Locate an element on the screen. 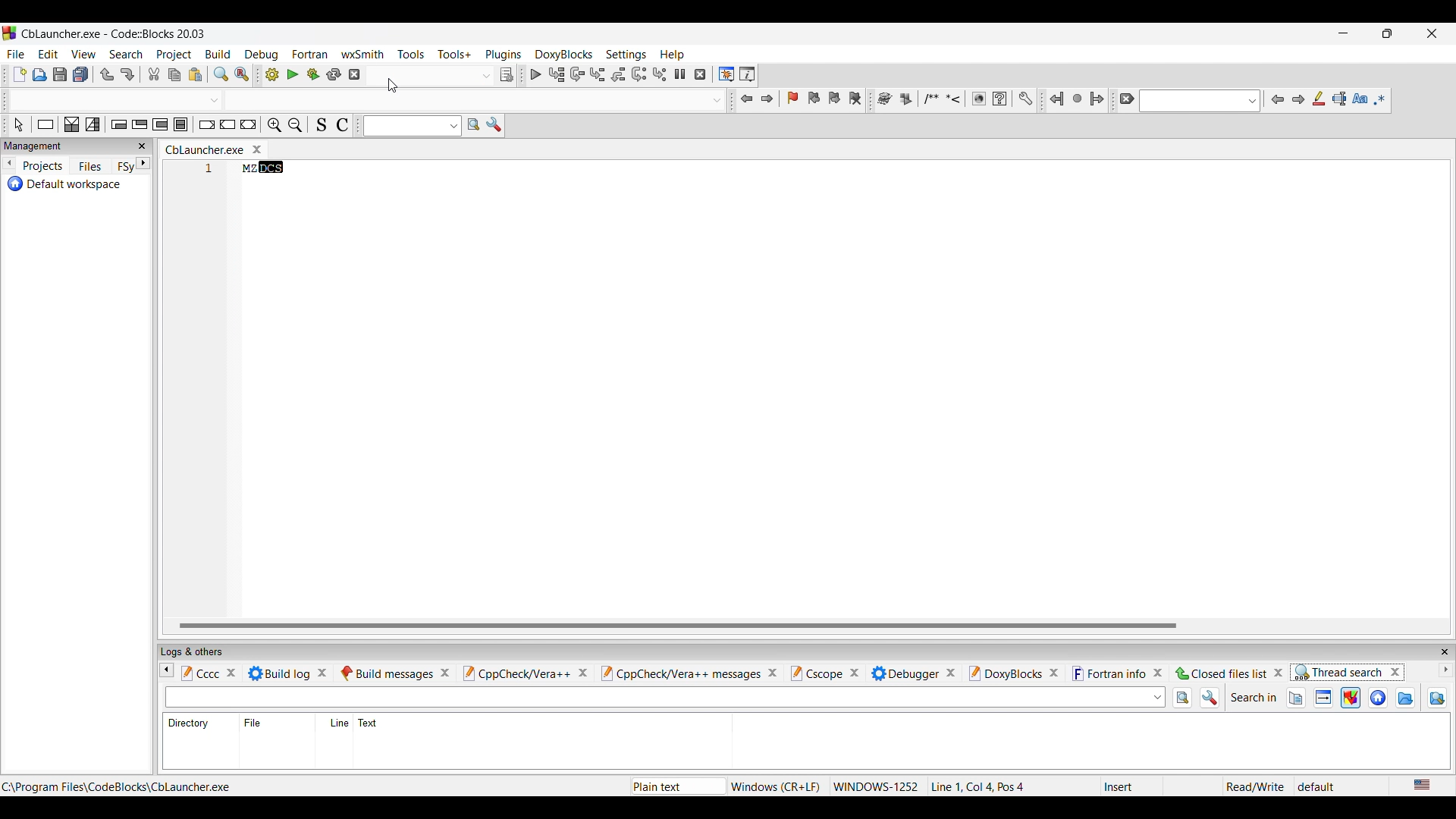  Stop debugger is located at coordinates (700, 74).